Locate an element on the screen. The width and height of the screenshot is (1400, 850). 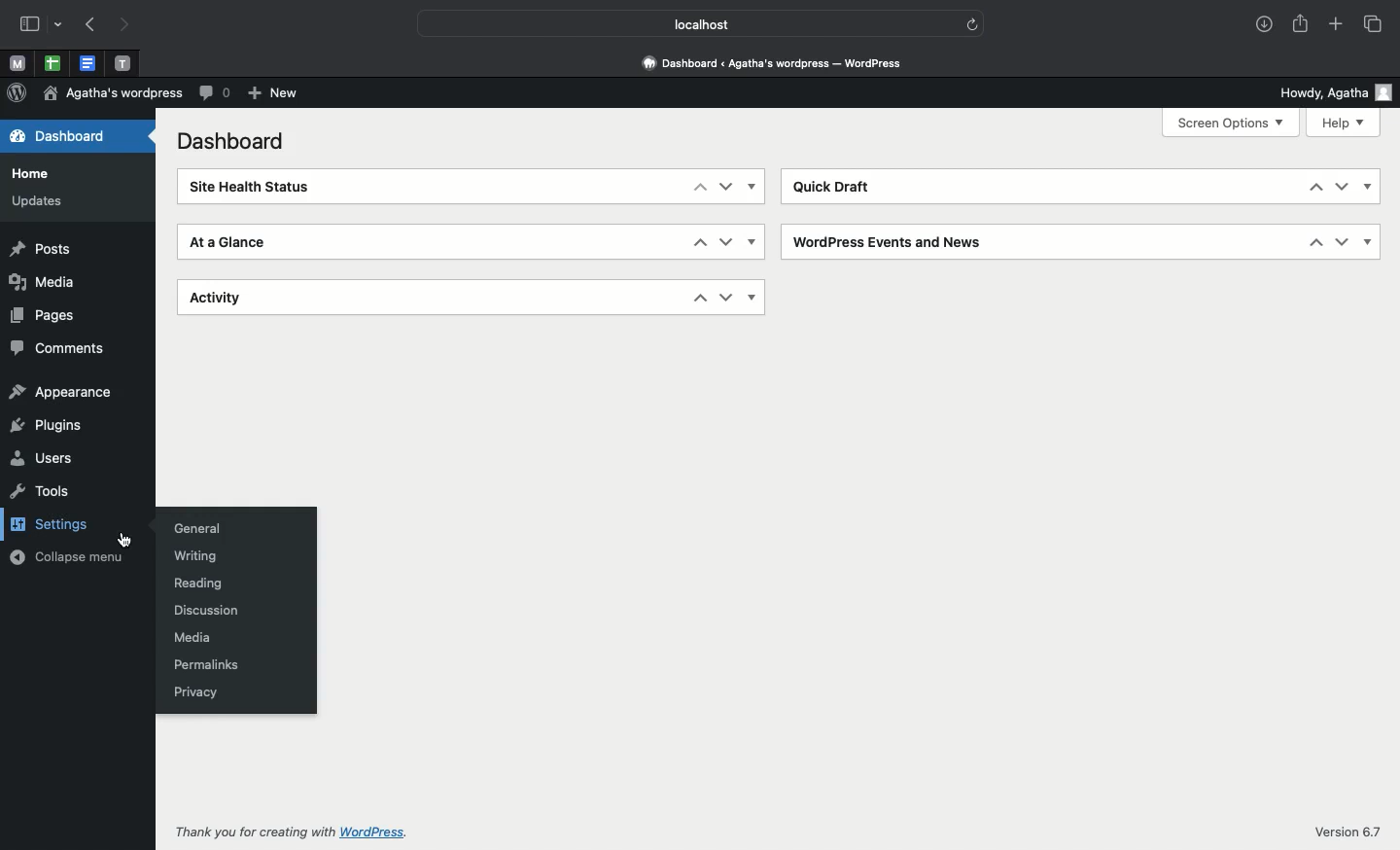
Pinned tabs is located at coordinates (124, 64).